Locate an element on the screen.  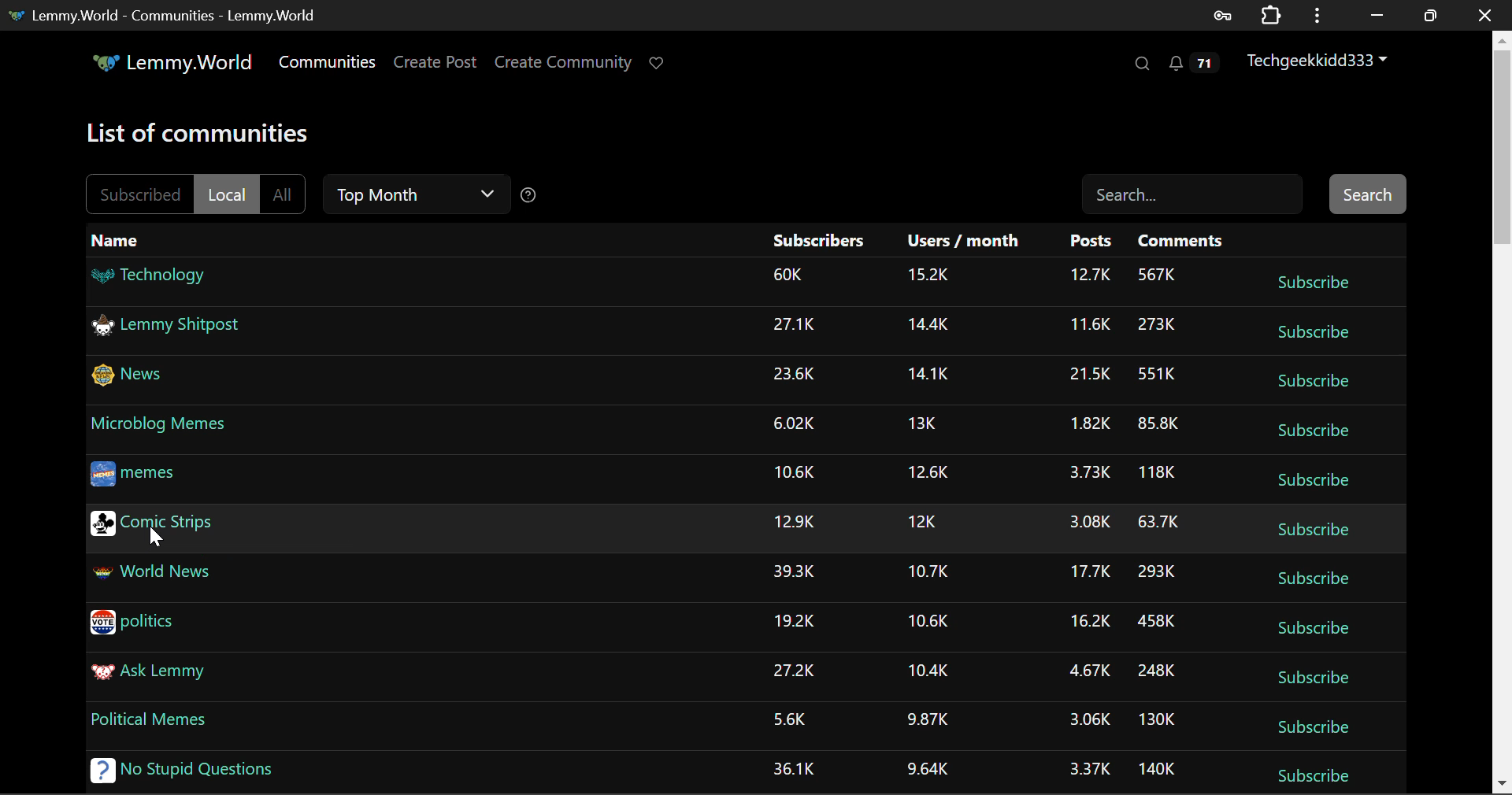
No Stupid Questions is located at coordinates (181, 770).